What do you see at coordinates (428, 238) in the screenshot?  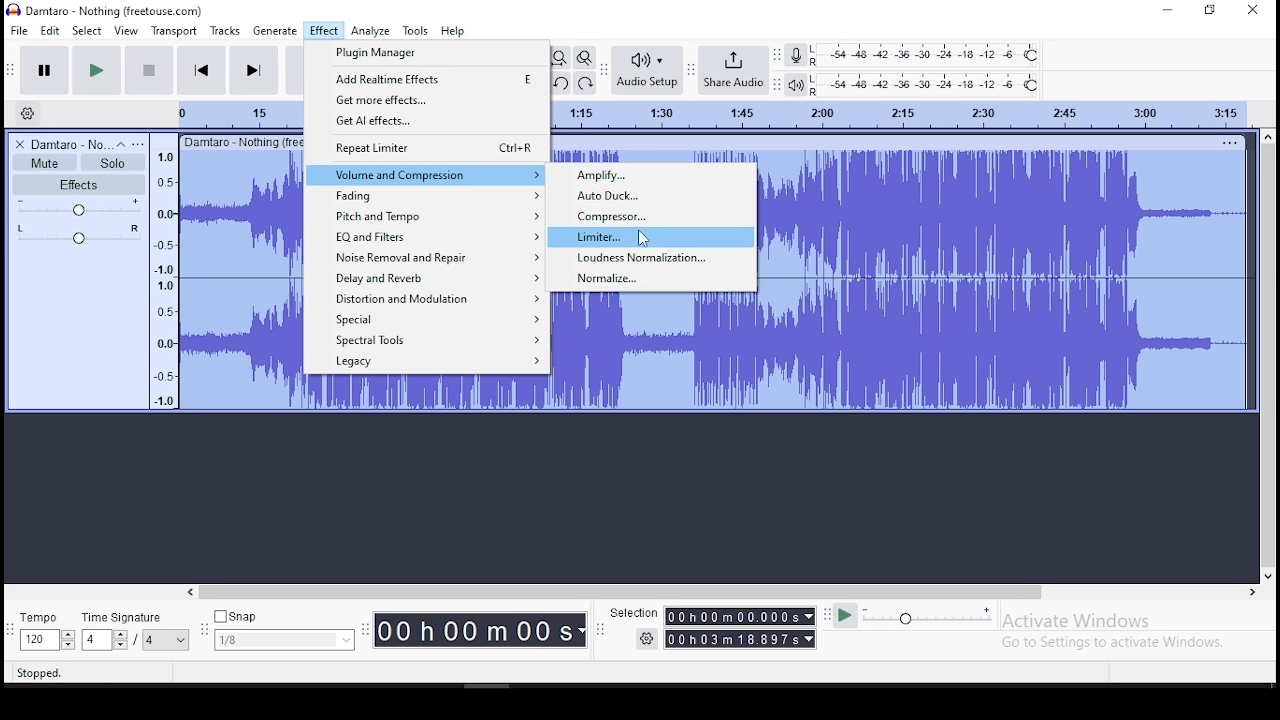 I see `EQ and filters` at bounding box center [428, 238].